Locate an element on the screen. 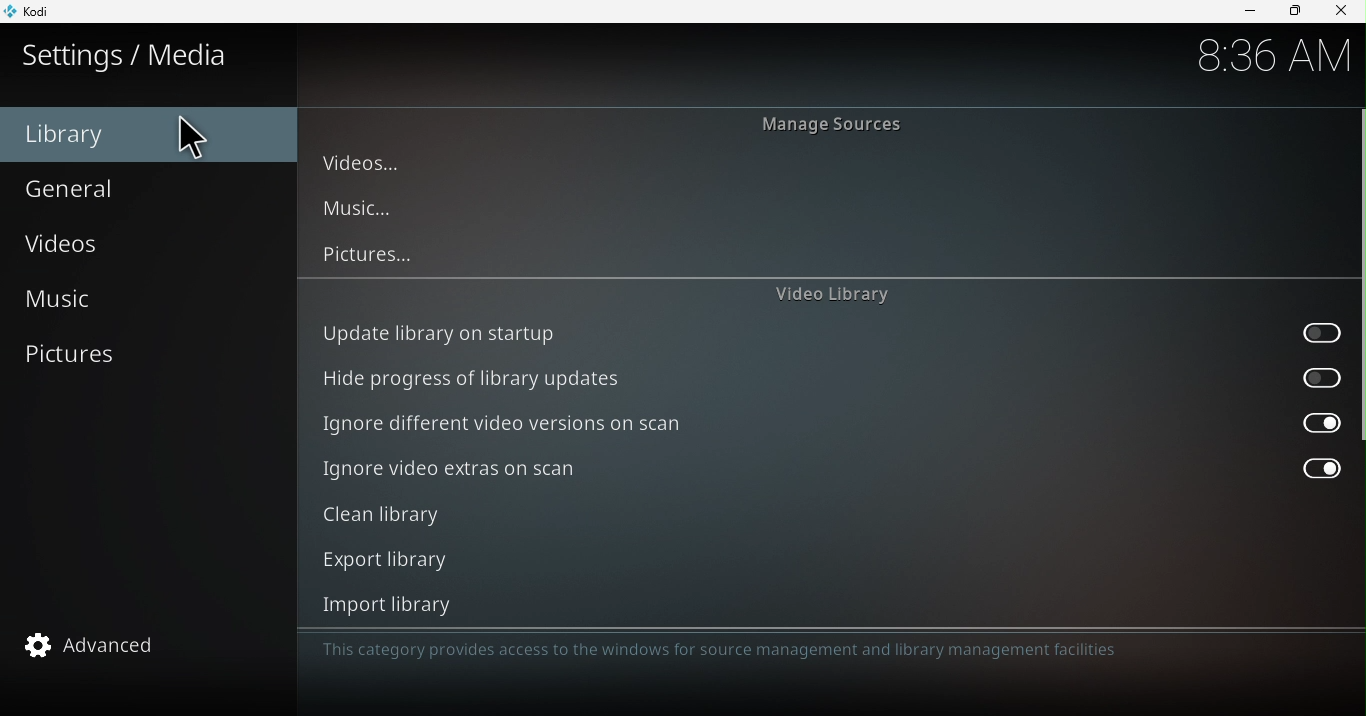 The image size is (1366, 716). This category provides access to the windows for source management and library management is located at coordinates (740, 650).